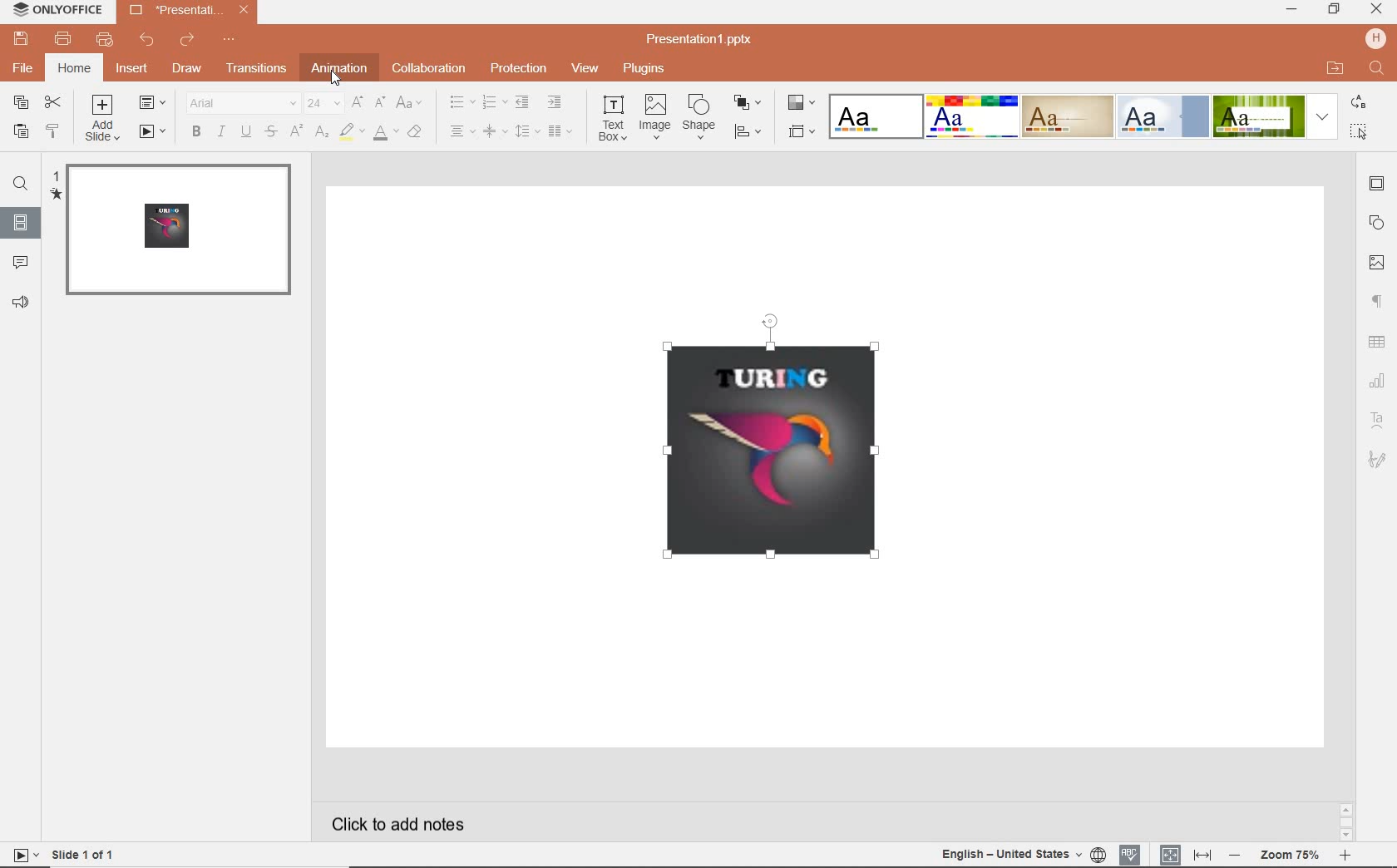 This screenshot has width=1397, height=868. Describe the element at coordinates (53, 102) in the screenshot. I see `cut` at that location.